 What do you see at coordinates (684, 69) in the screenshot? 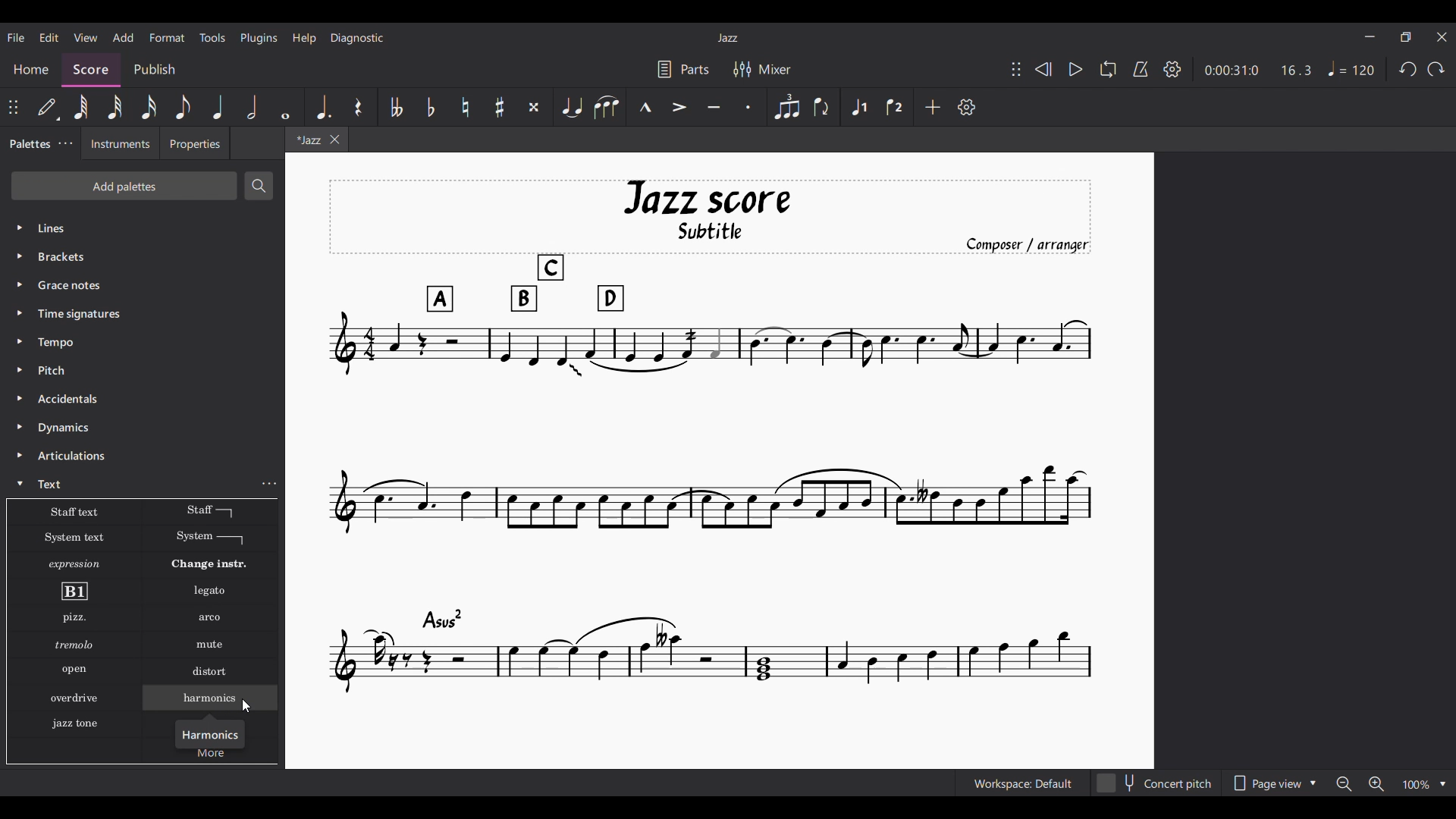
I see `Parts settings` at bounding box center [684, 69].